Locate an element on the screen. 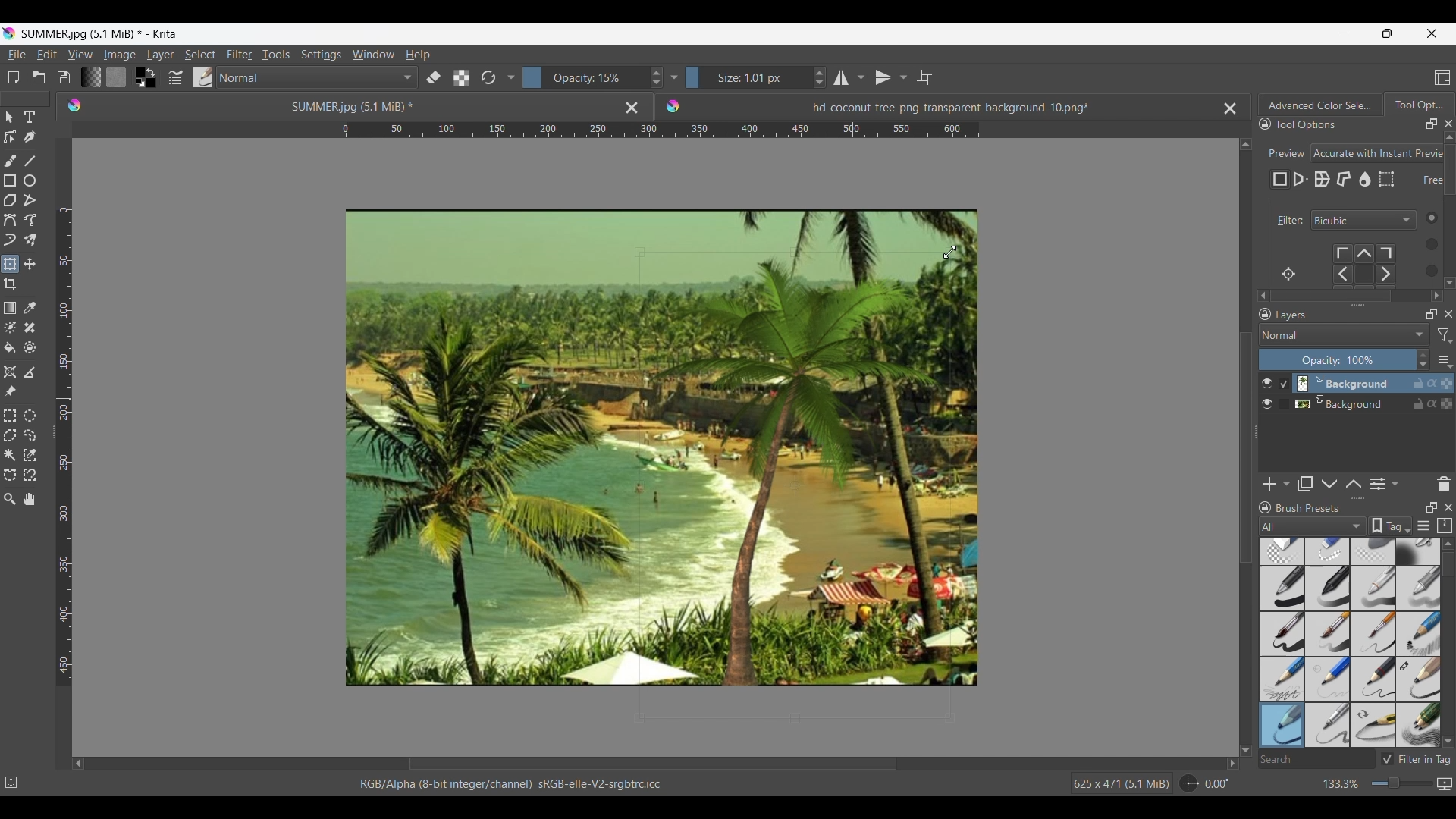 This screenshot has width=1456, height=819. Storage resources is located at coordinates (1446, 525).